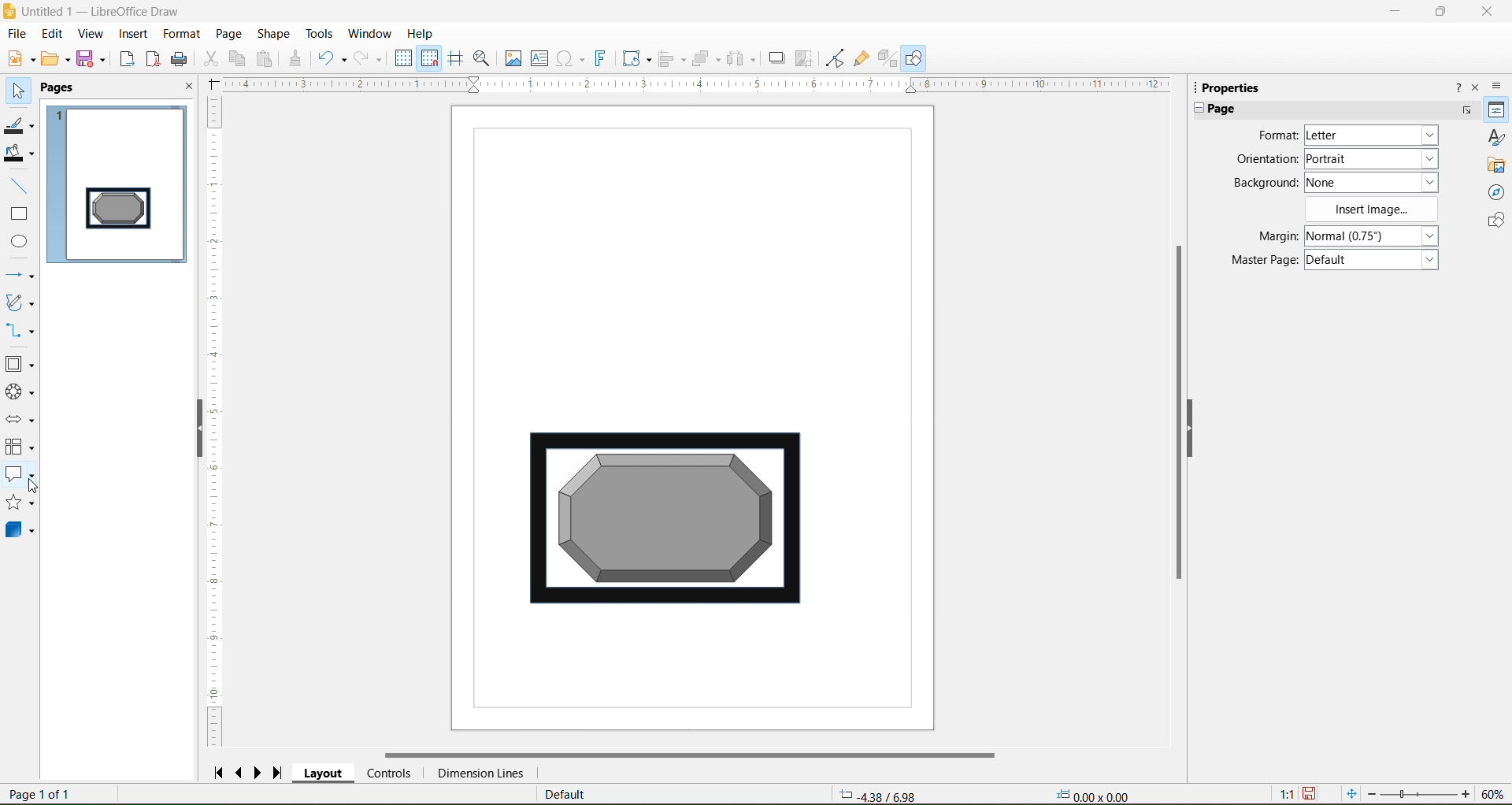  Describe the element at coordinates (273, 33) in the screenshot. I see `Shape` at that location.